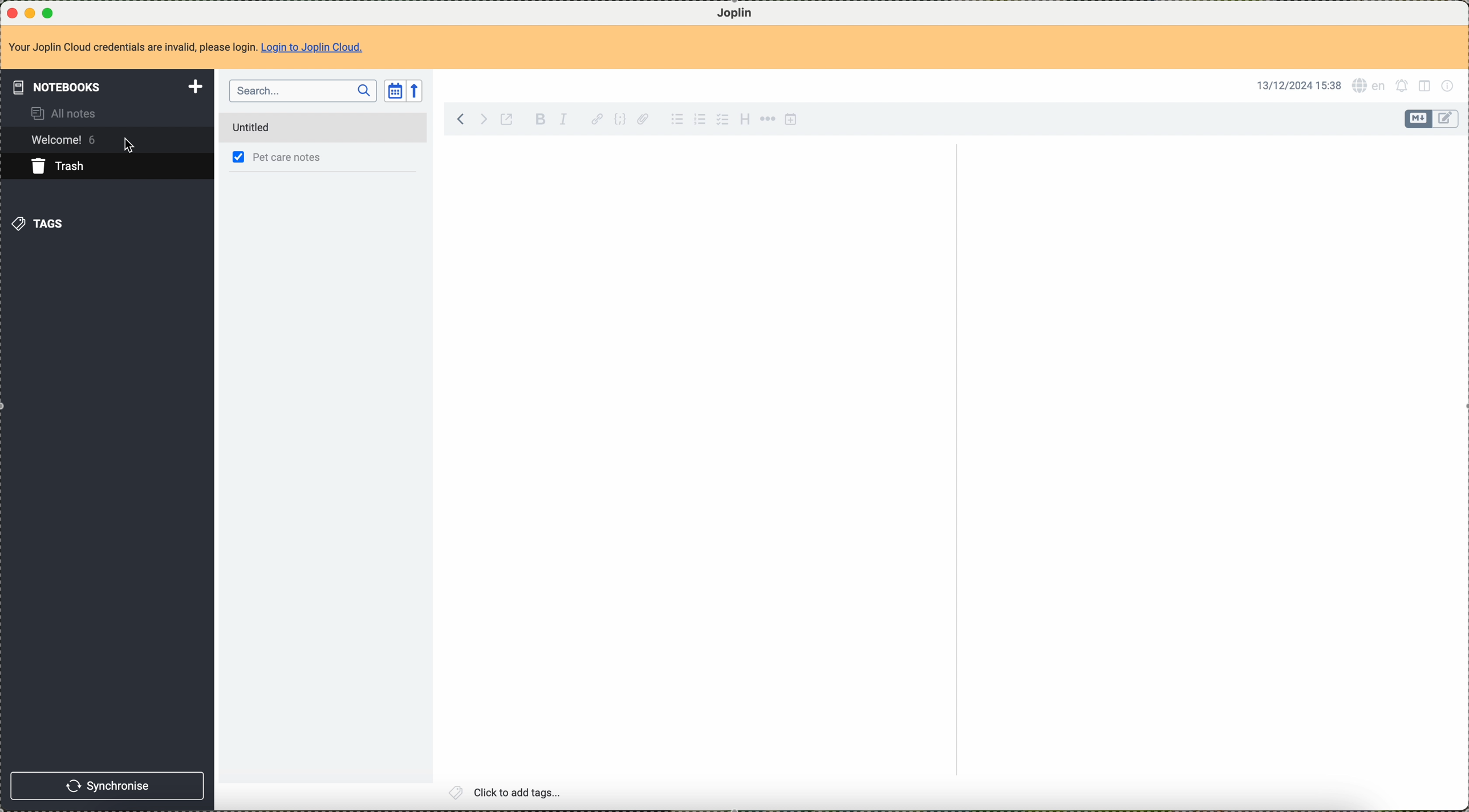 Image resolution: width=1469 pixels, height=812 pixels. I want to click on bulleted list, so click(676, 120).